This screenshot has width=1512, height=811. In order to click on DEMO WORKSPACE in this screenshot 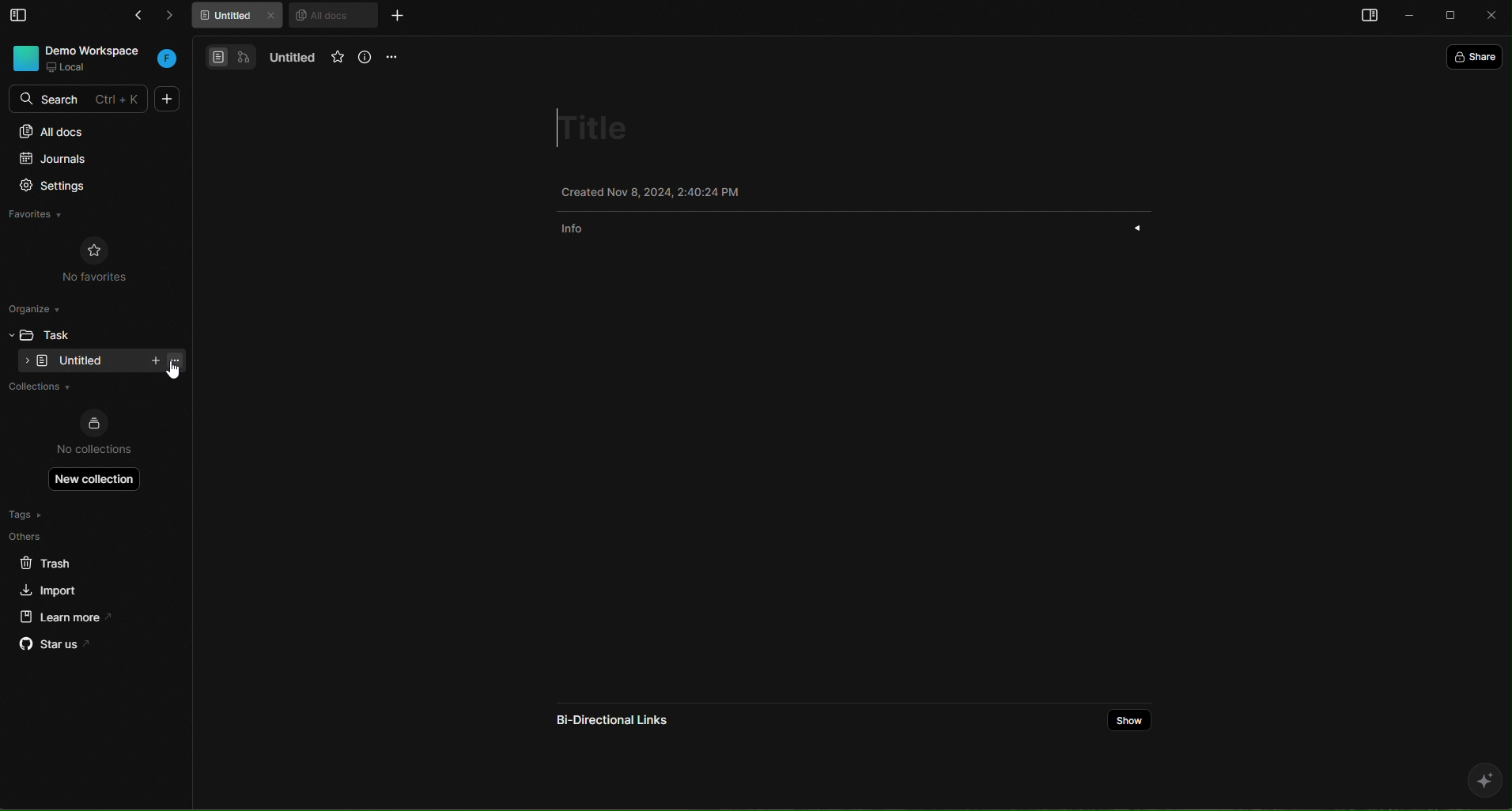, I will do `click(97, 50)`.